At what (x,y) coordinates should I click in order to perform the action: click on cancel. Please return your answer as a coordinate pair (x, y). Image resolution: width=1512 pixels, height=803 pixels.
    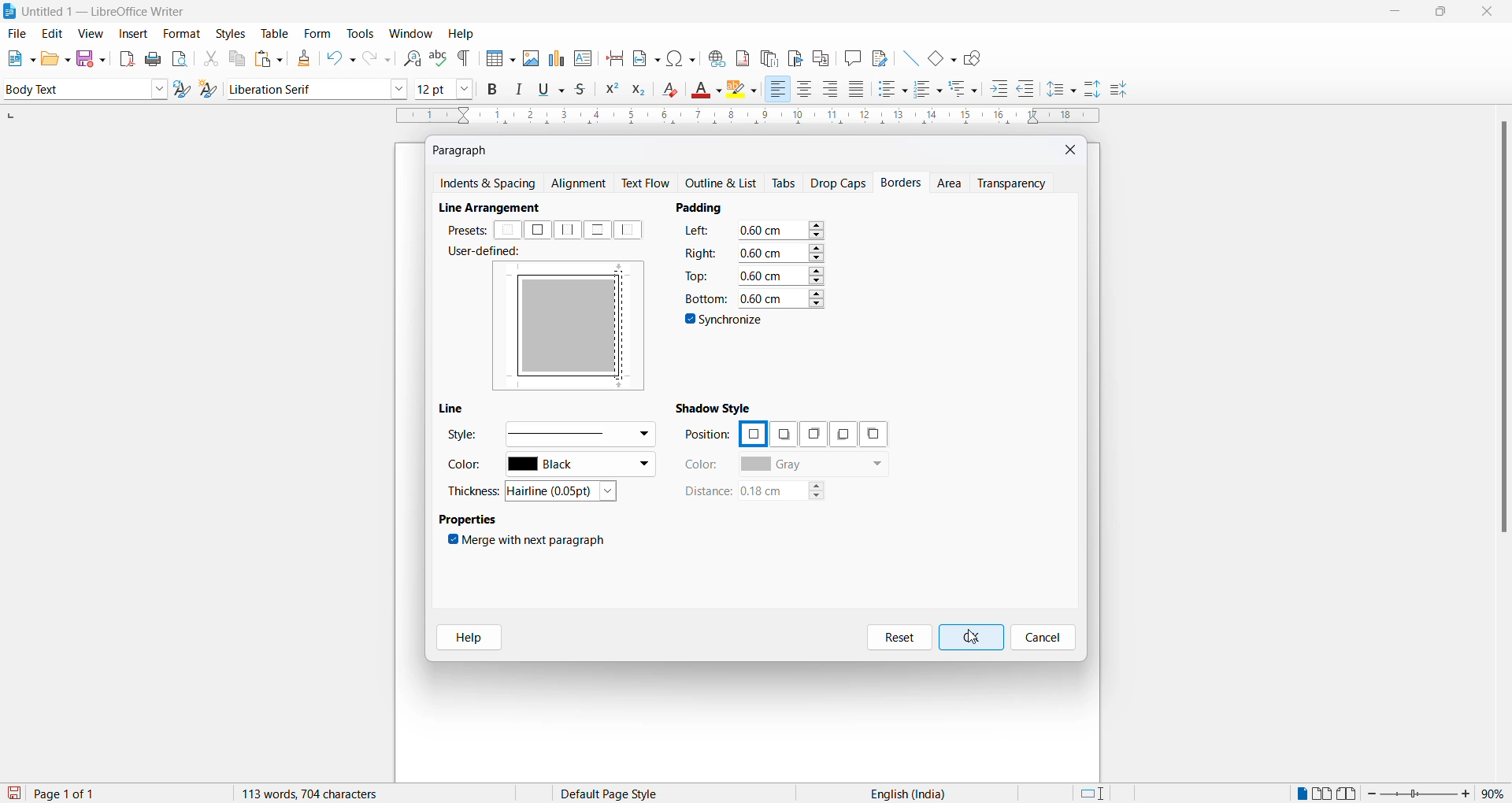
    Looking at the image, I should click on (1043, 638).